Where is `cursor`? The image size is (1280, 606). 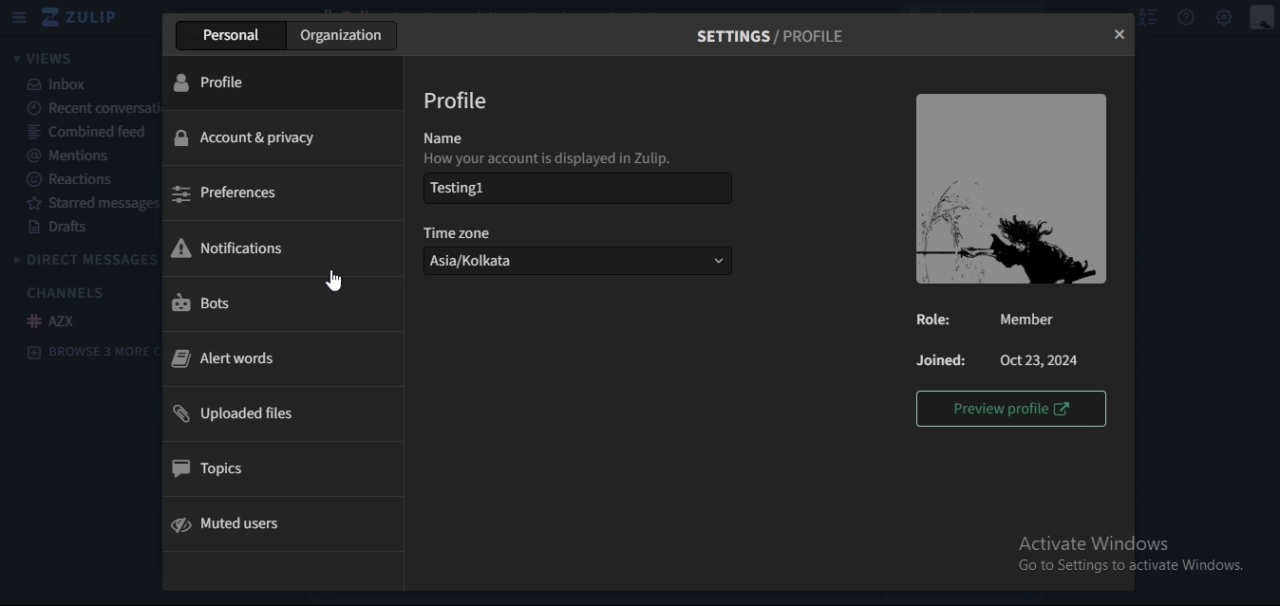 cursor is located at coordinates (336, 281).